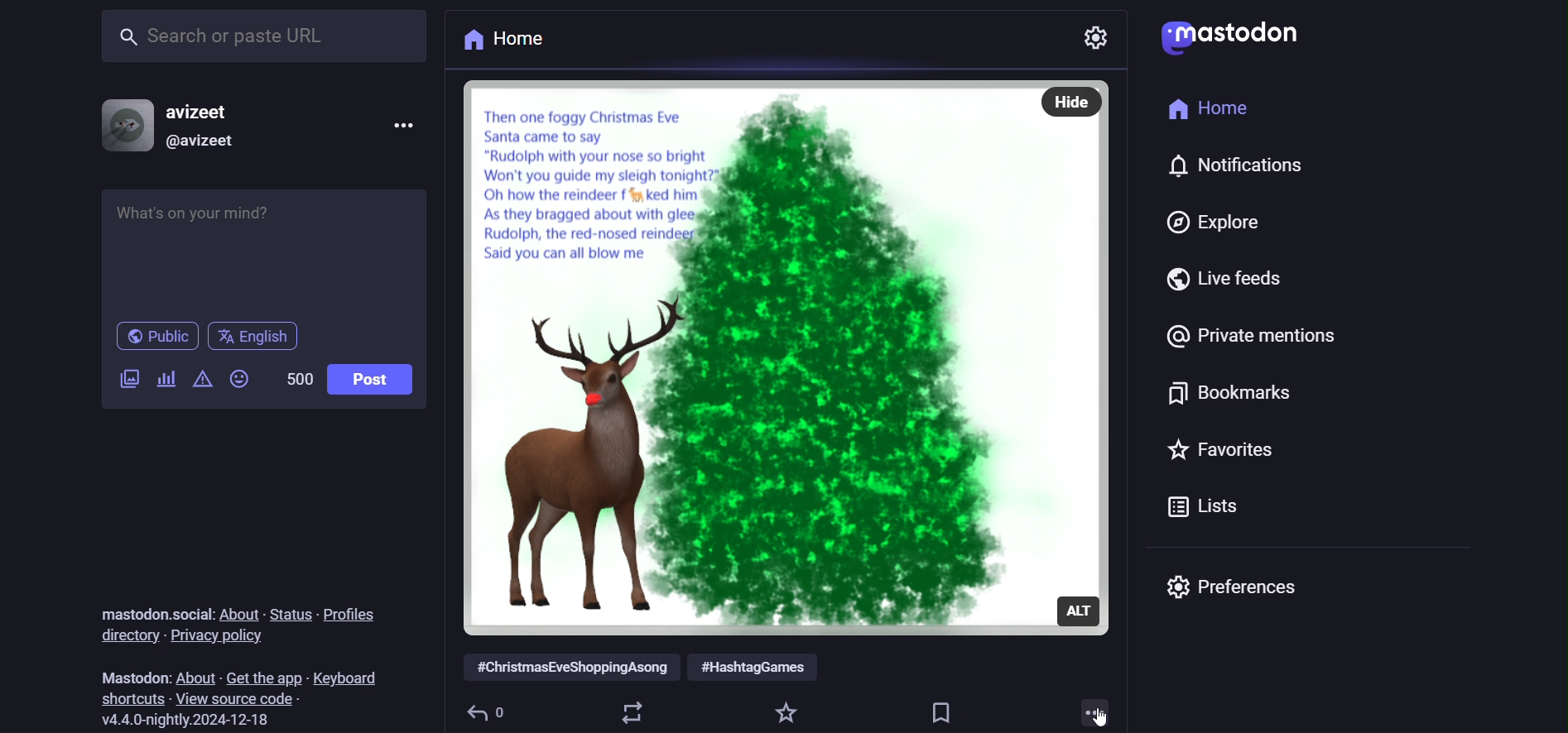 The width and height of the screenshot is (1568, 733). I want to click on image/video, so click(127, 378).